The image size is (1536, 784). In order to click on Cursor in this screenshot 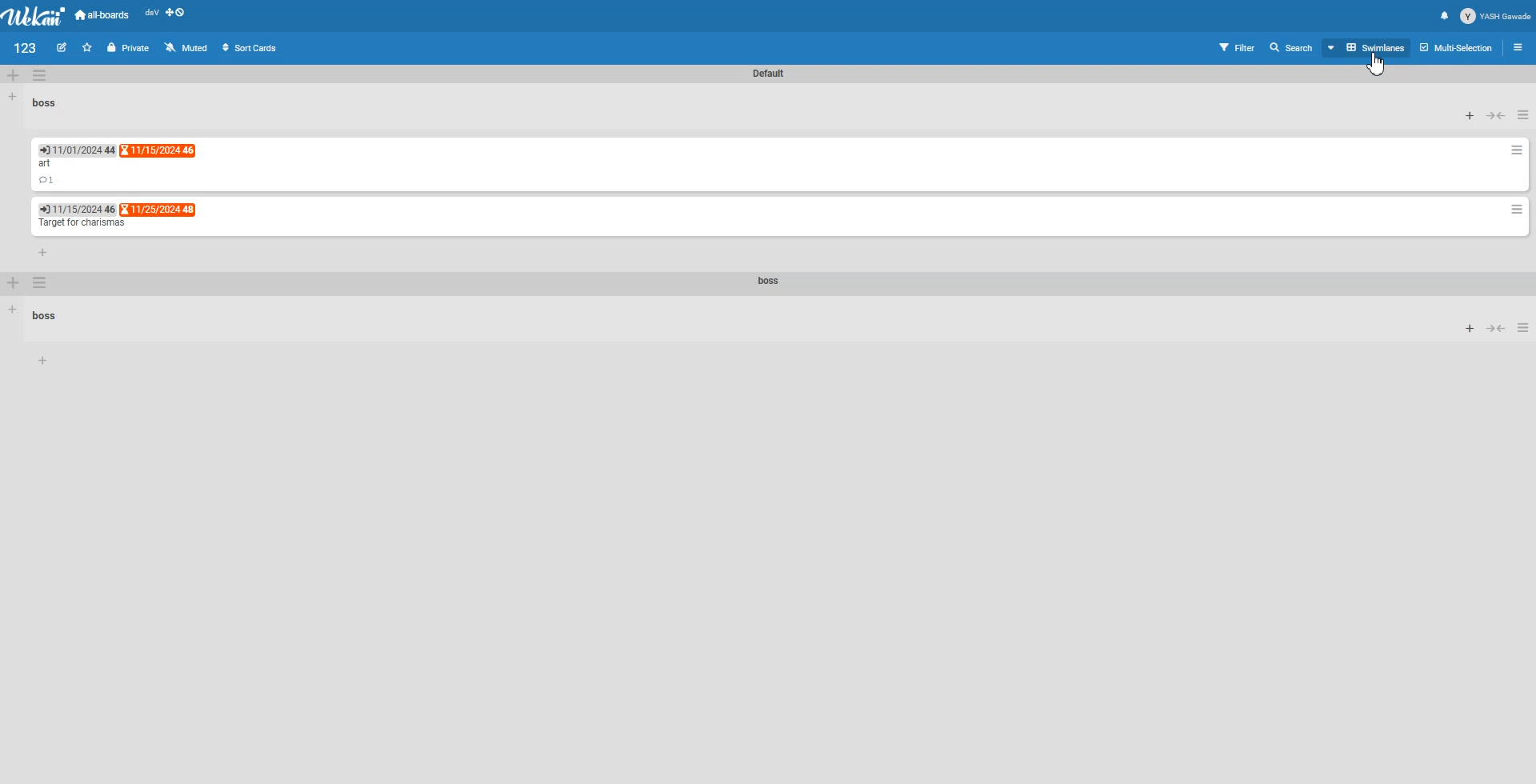, I will do `click(1376, 63)`.